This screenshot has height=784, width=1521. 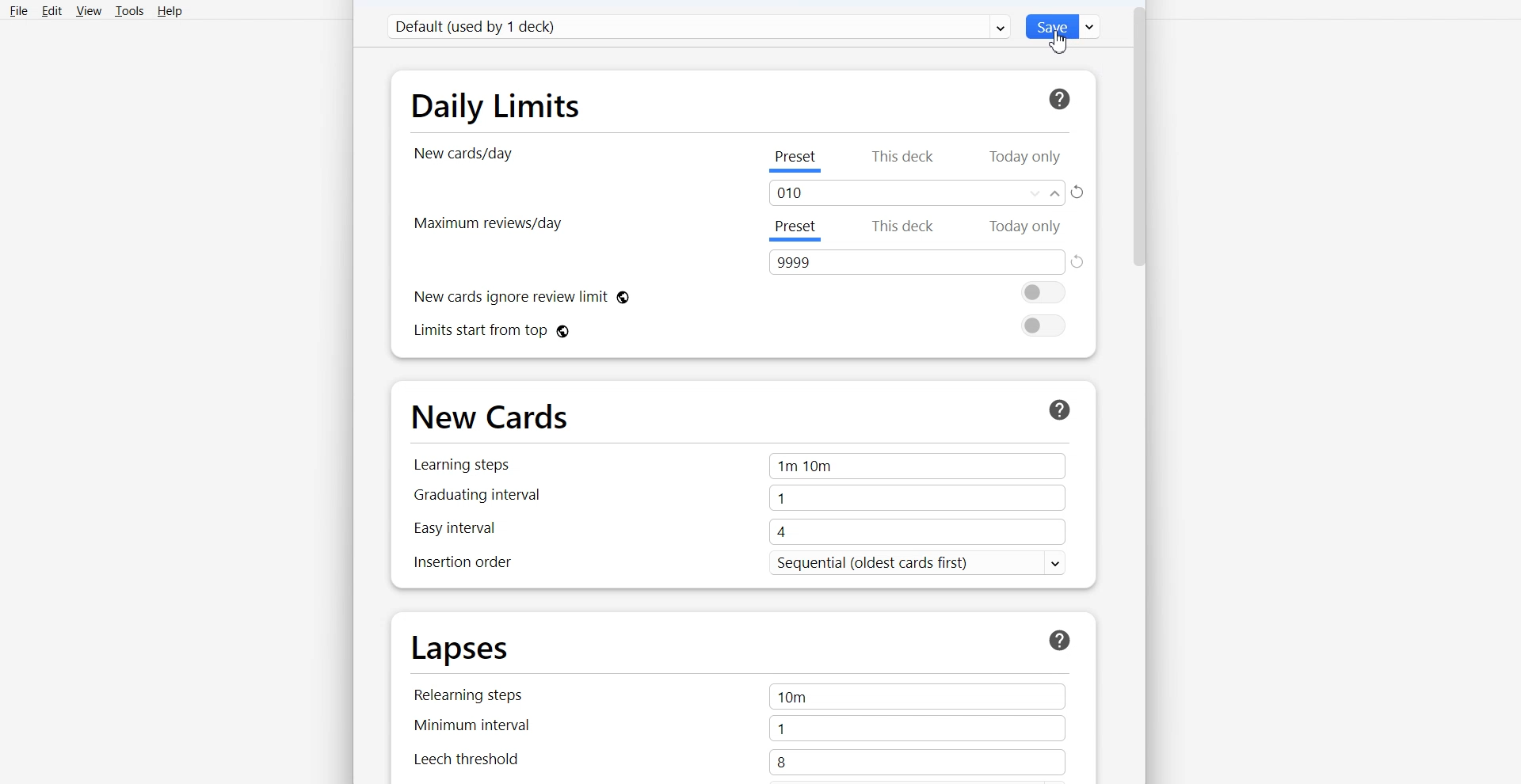 I want to click on Text, so click(x=794, y=192).